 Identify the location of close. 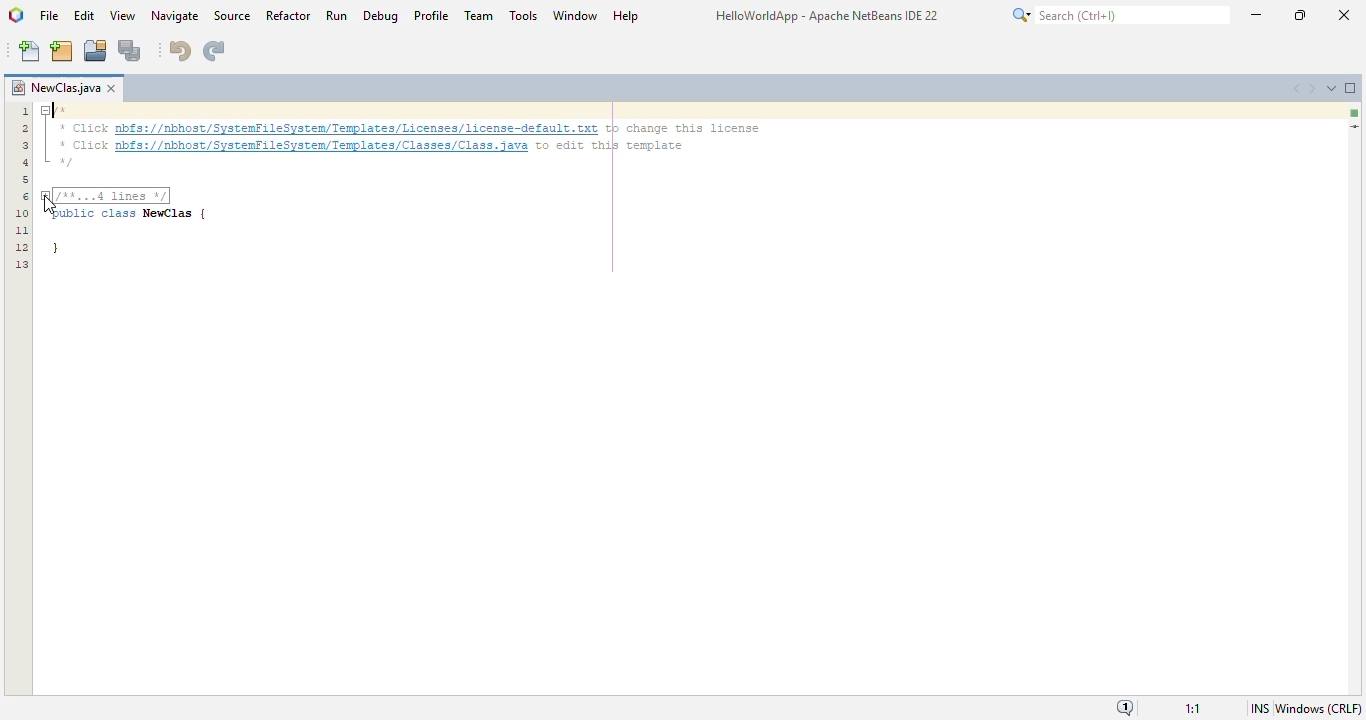
(1344, 14).